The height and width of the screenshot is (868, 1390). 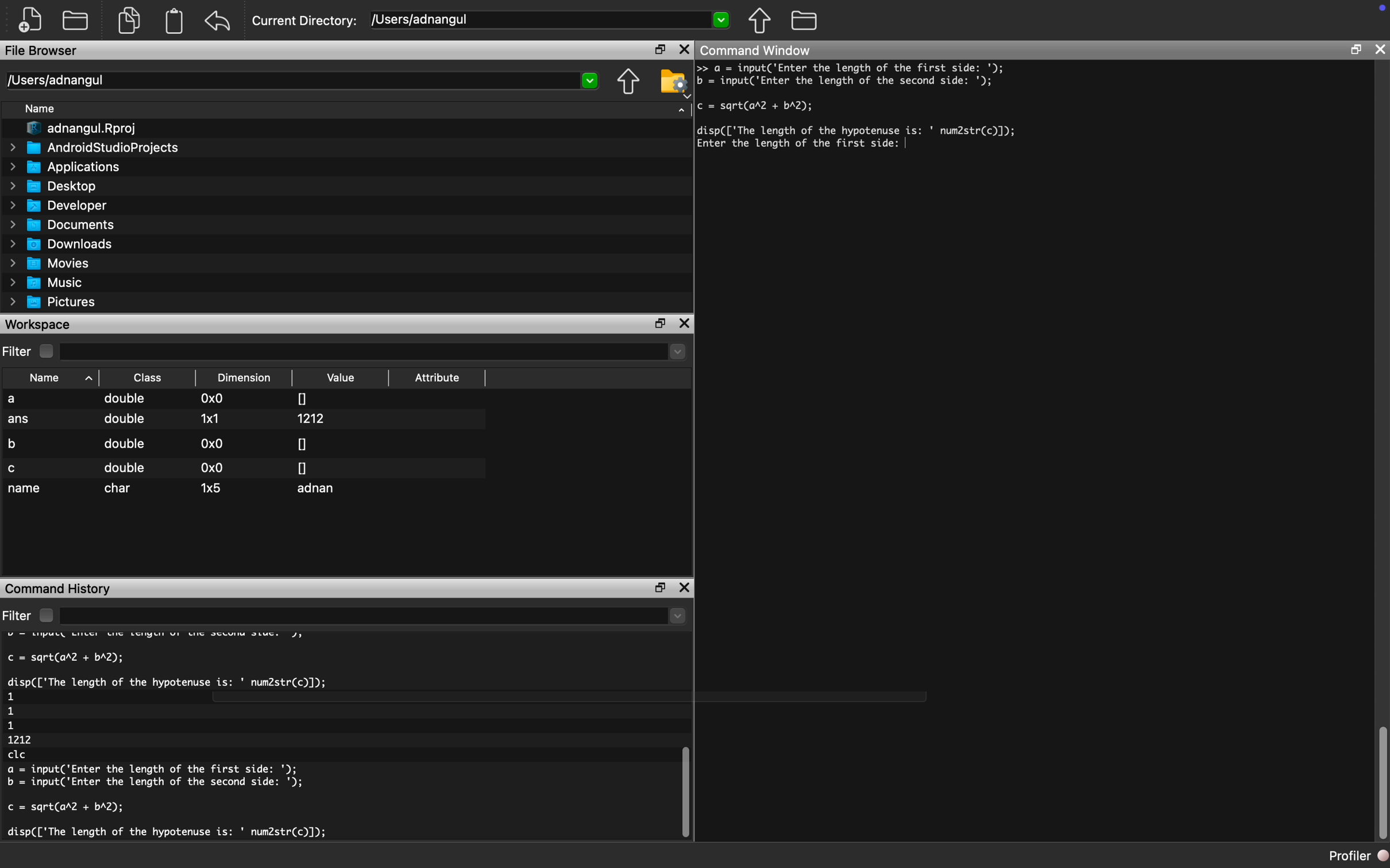 I want to click on  Movies, so click(x=51, y=263).